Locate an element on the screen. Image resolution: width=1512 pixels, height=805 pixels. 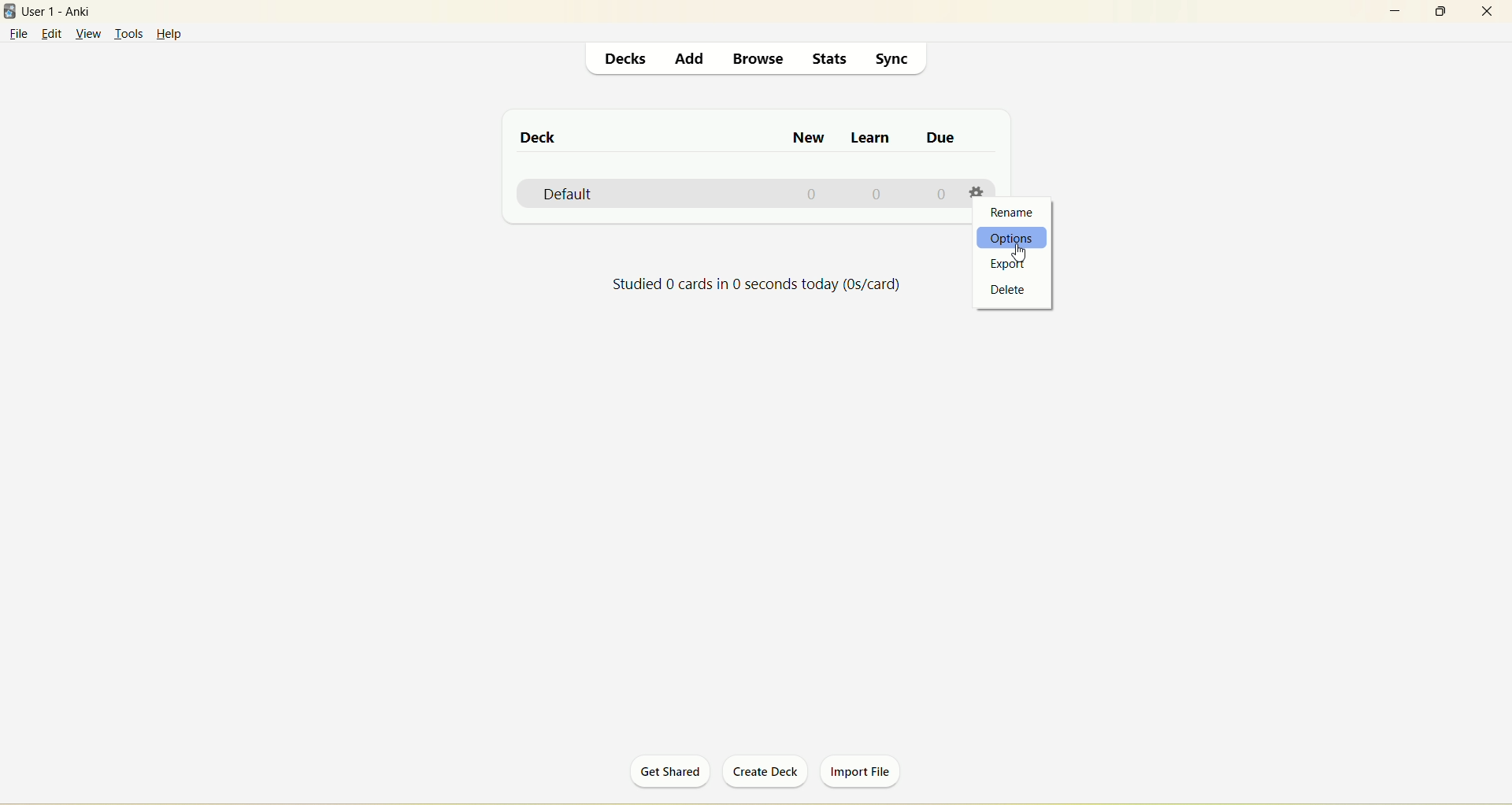
0 is located at coordinates (877, 195).